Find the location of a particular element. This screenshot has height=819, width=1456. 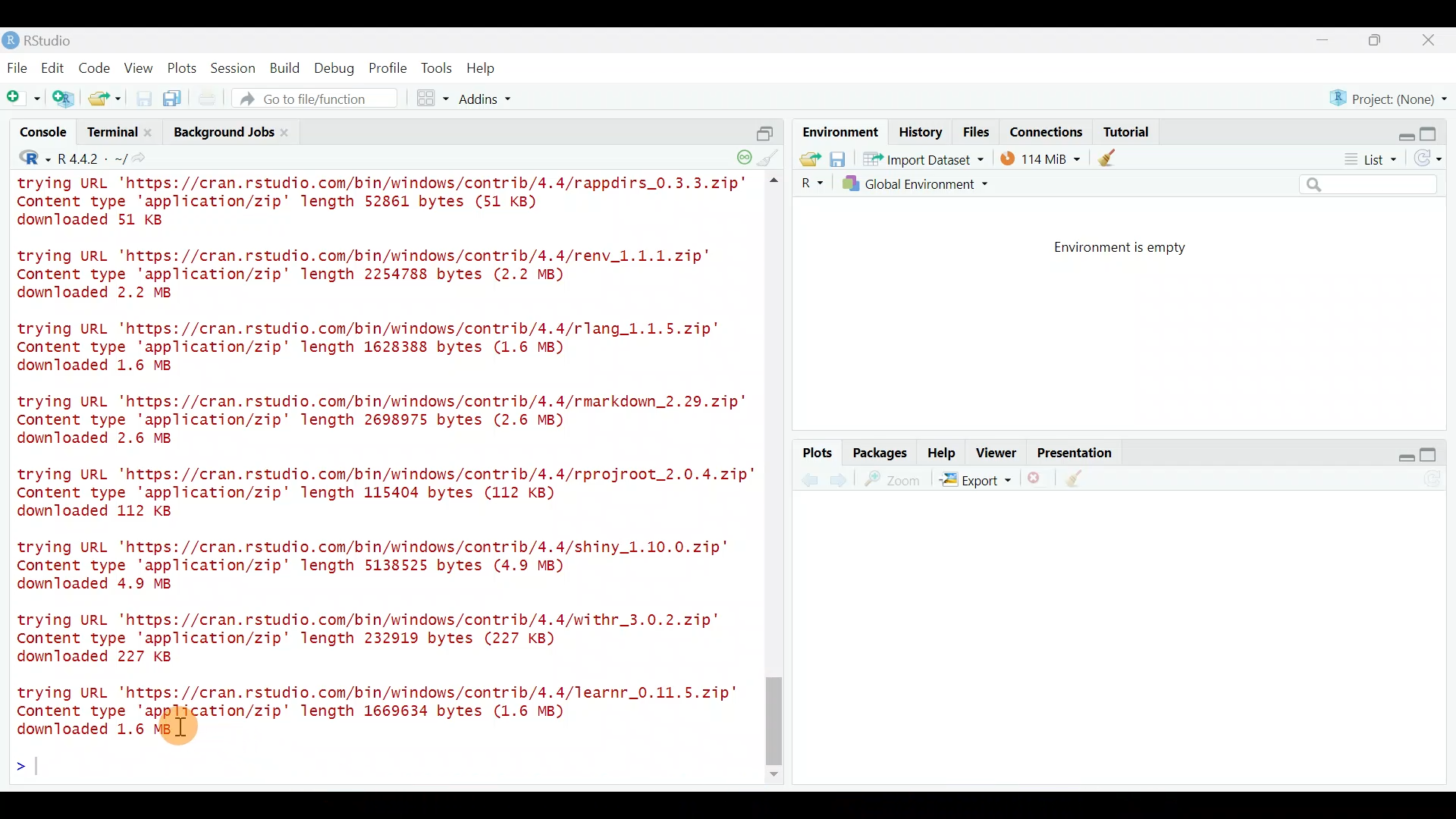

Session is located at coordinates (236, 67).